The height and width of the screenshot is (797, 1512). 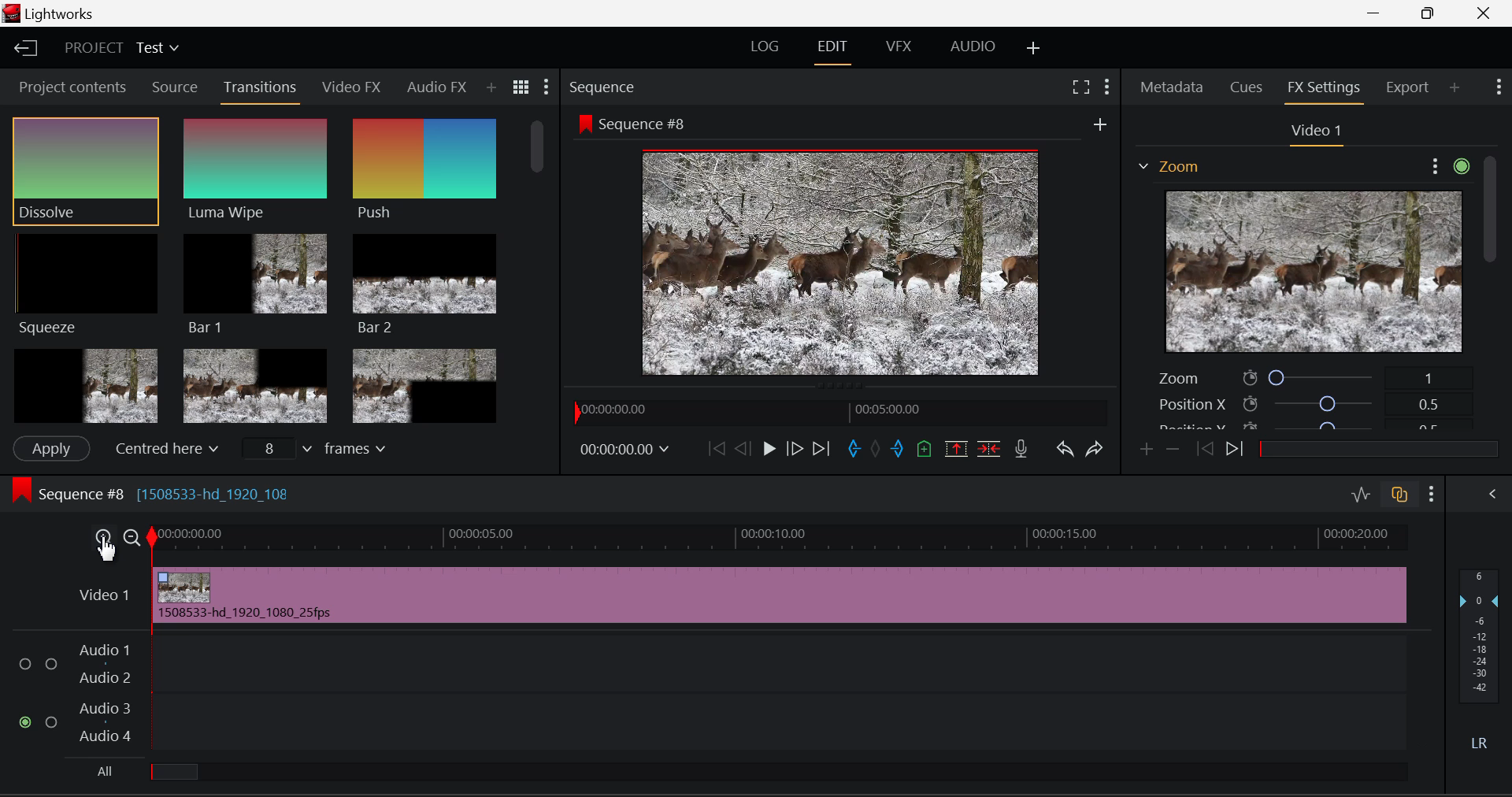 What do you see at coordinates (105, 678) in the screenshot?
I see `Audio 2` at bounding box center [105, 678].